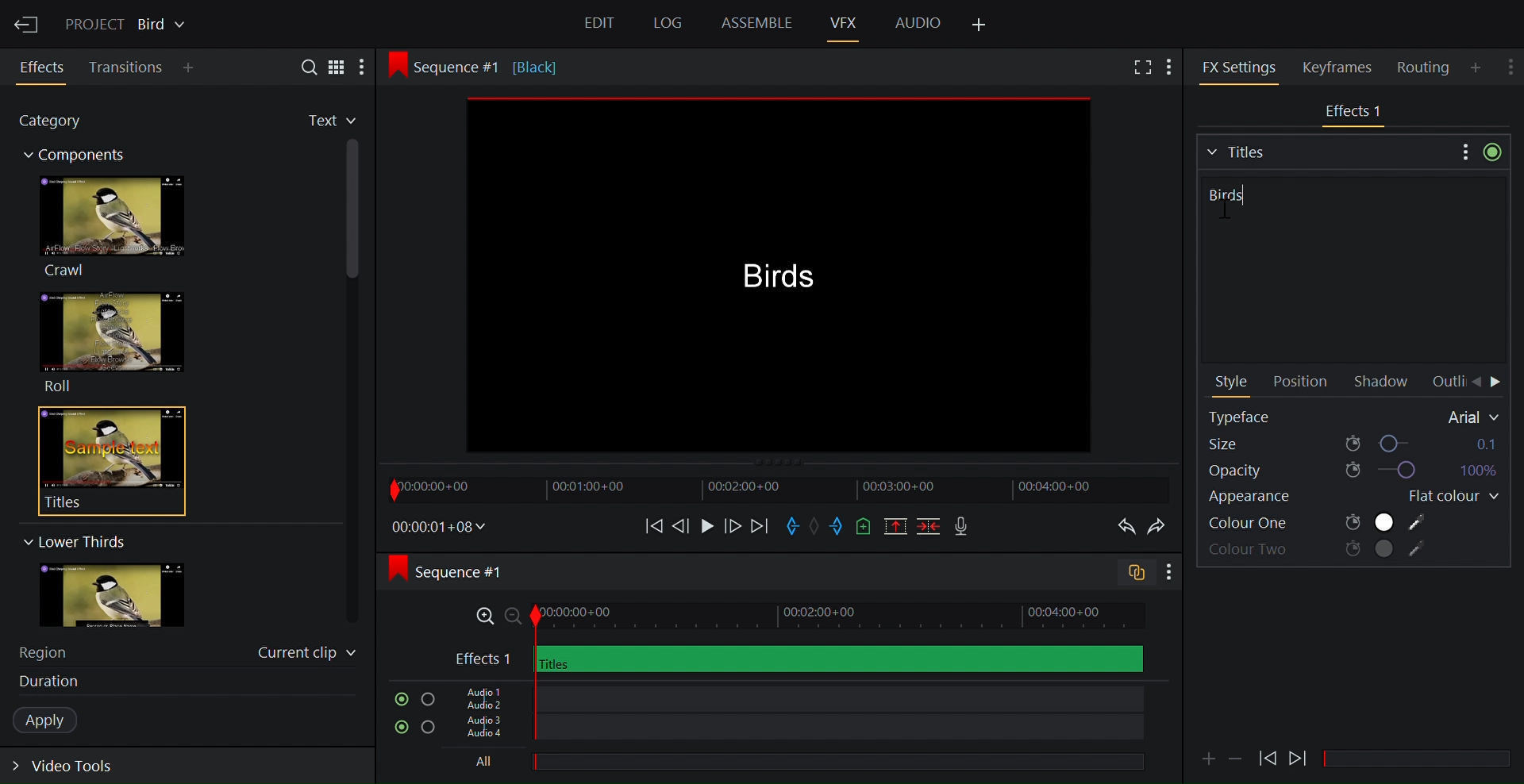 The height and width of the screenshot is (784, 1524). I want to click on Move Forward, so click(1497, 383).